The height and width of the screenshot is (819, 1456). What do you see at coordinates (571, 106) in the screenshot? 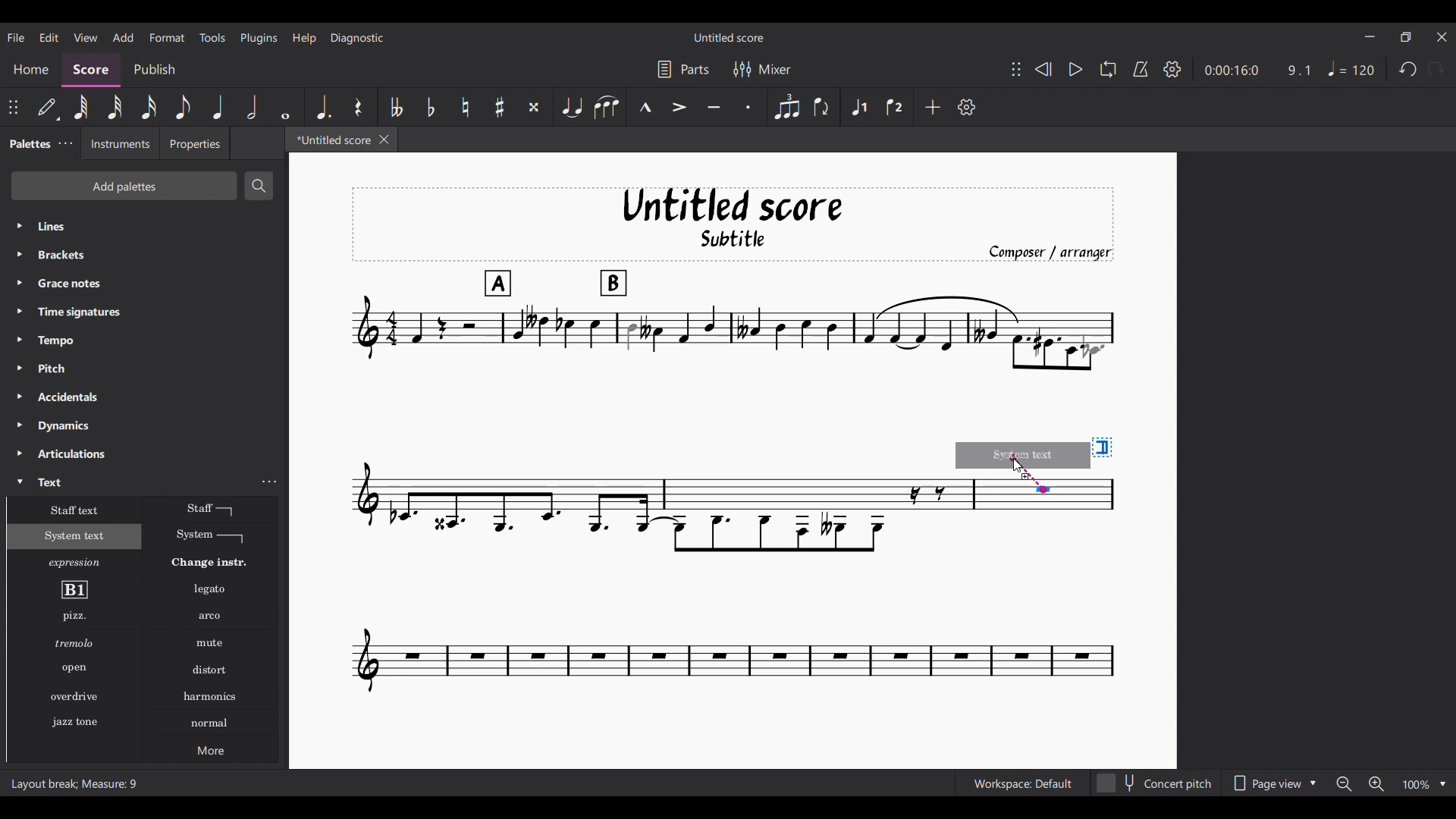
I see `Tie` at bounding box center [571, 106].